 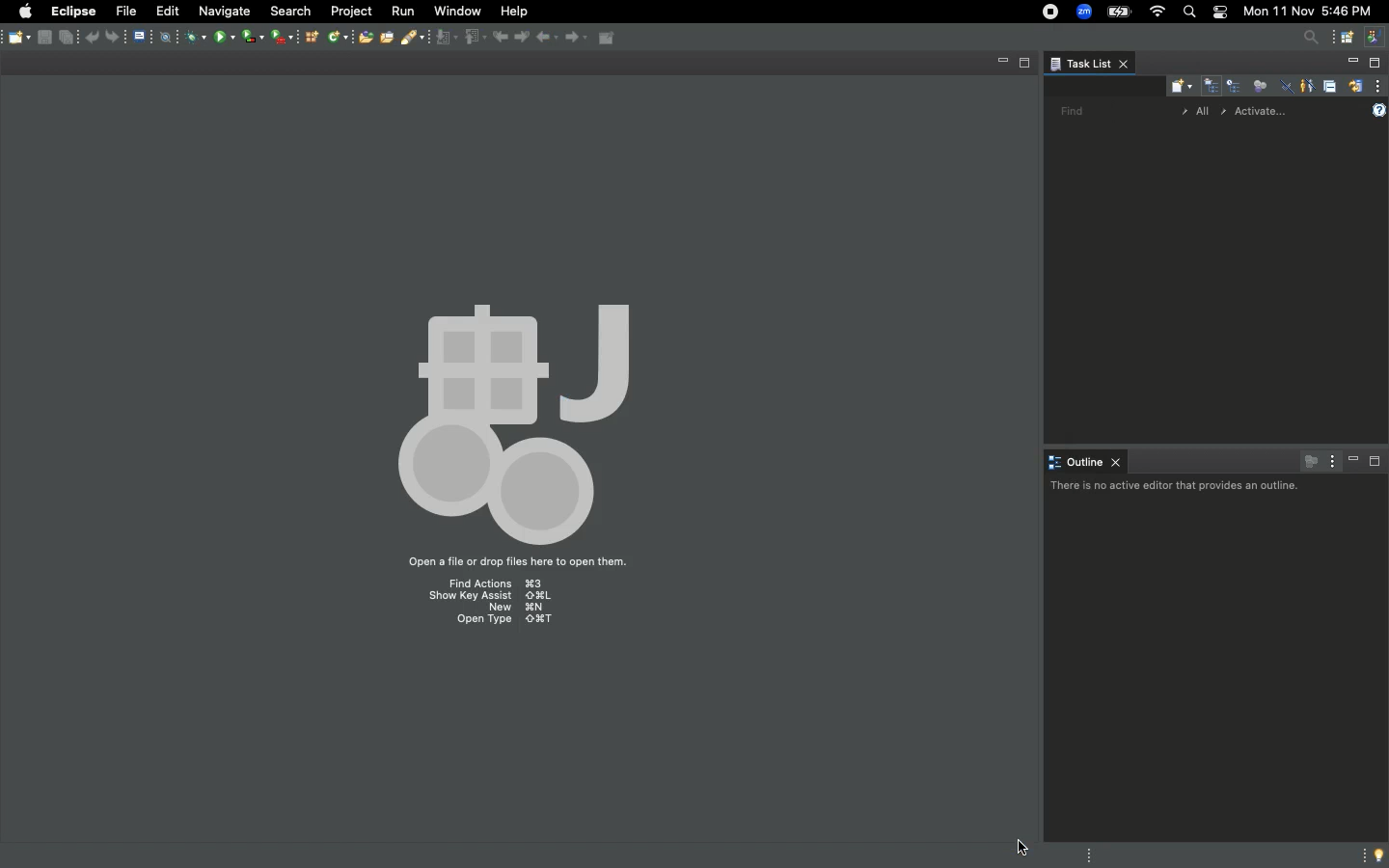 What do you see at coordinates (451, 36) in the screenshot?
I see `Maximize` at bounding box center [451, 36].